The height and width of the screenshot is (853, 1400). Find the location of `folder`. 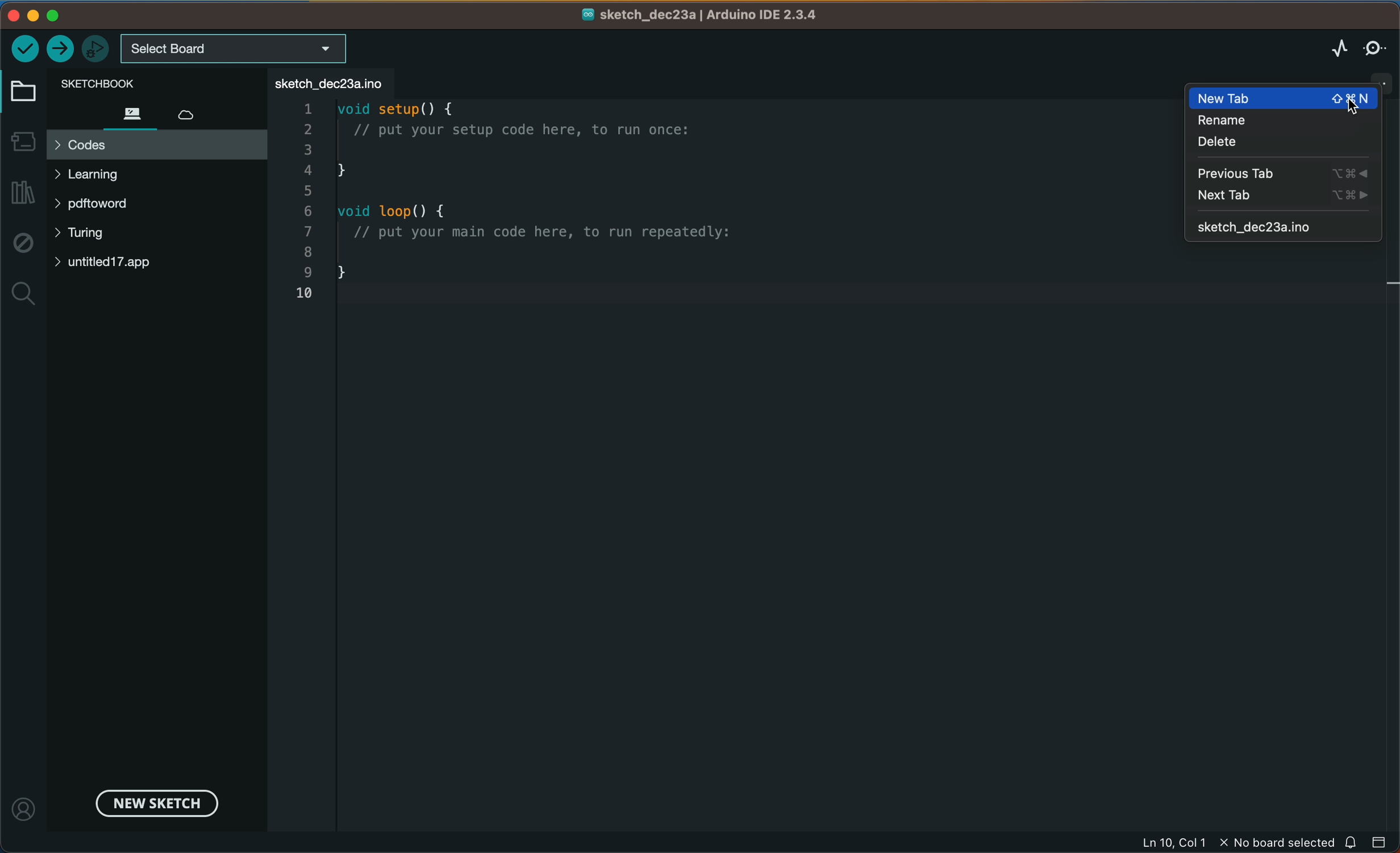

folder is located at coordinates (26, 92).